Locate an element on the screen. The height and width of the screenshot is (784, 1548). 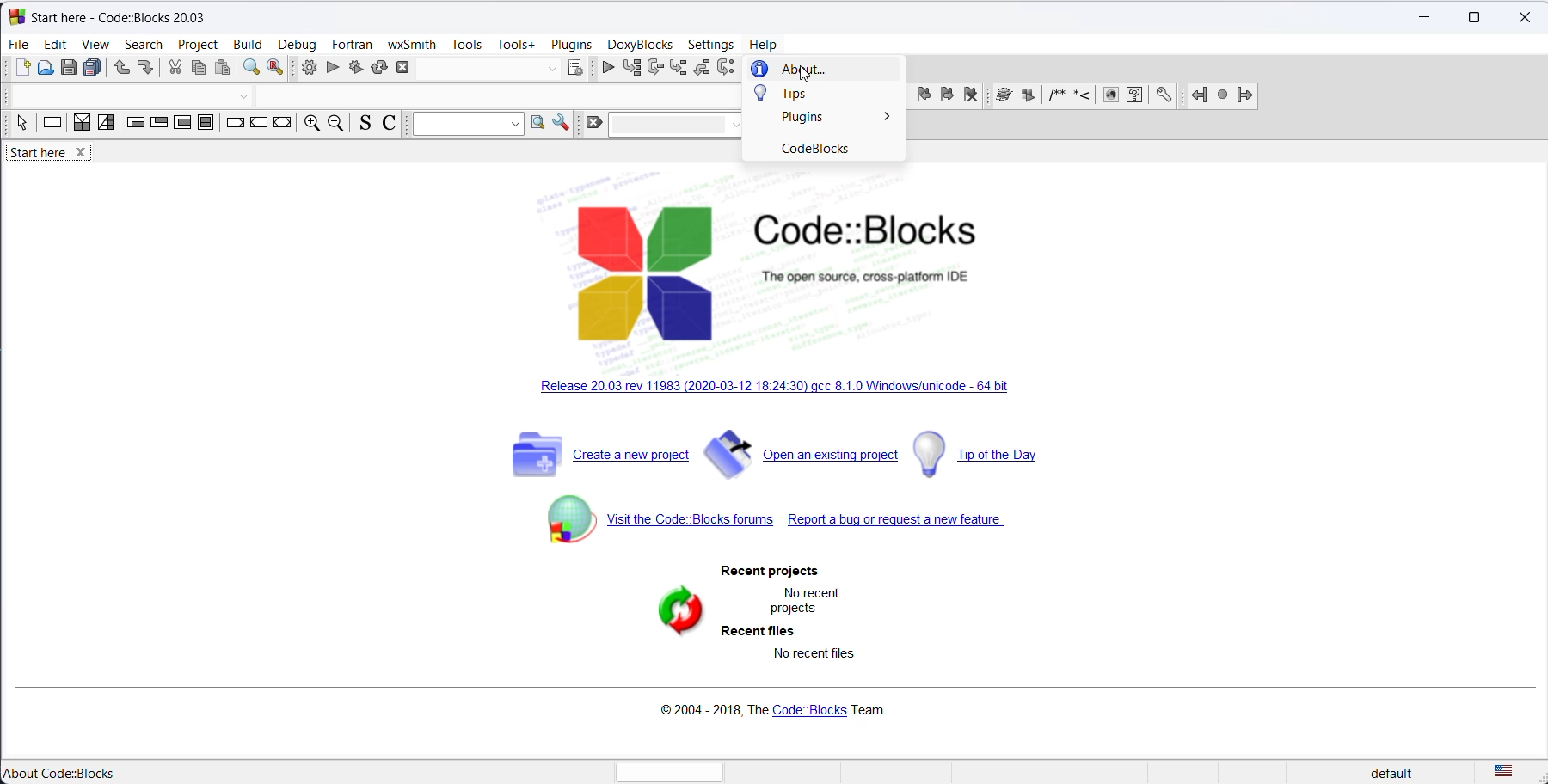
build is located at coordinates (245, 44).